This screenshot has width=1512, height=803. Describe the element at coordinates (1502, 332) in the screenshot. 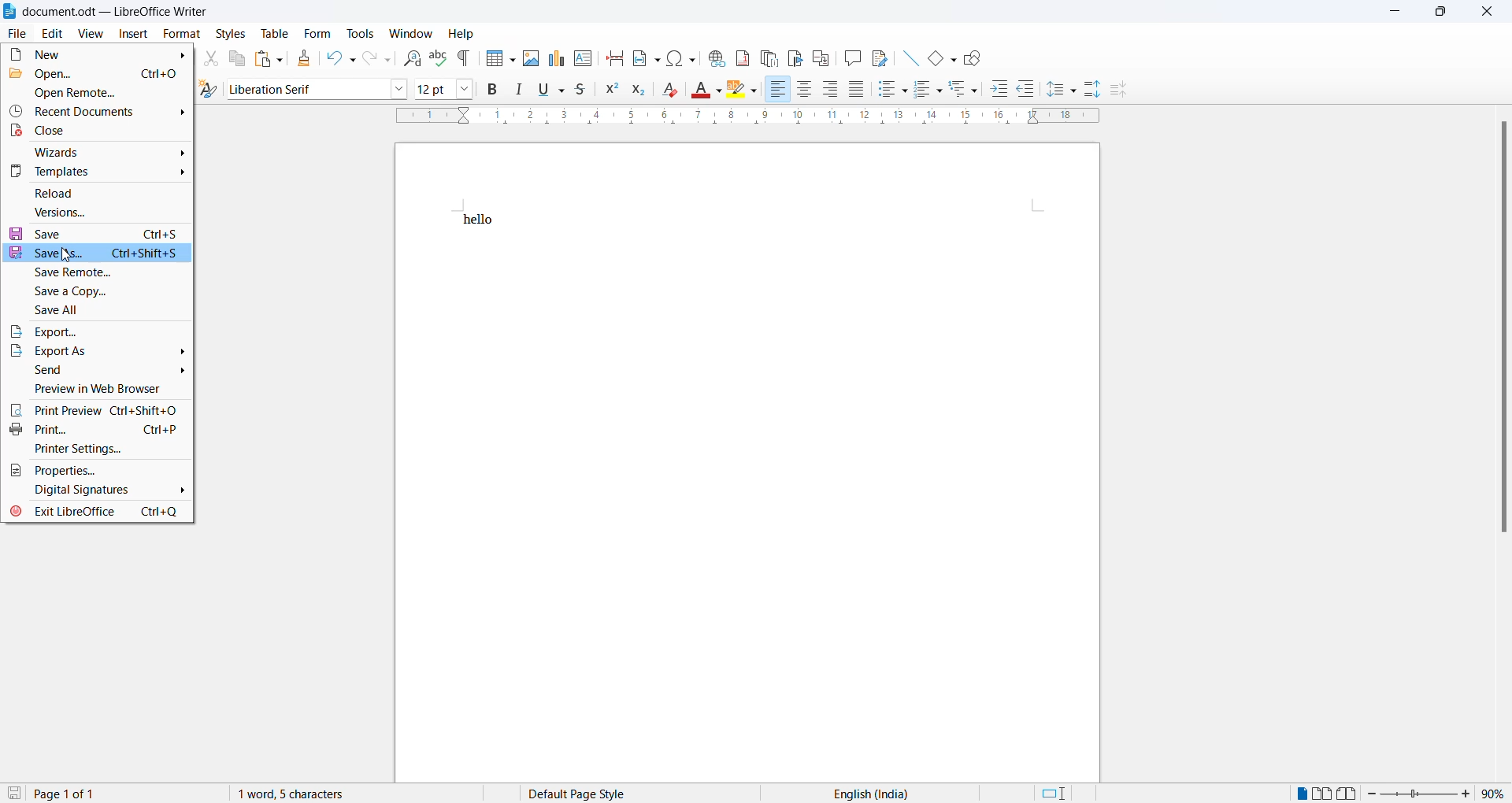

I see `scrollbar` at that location.